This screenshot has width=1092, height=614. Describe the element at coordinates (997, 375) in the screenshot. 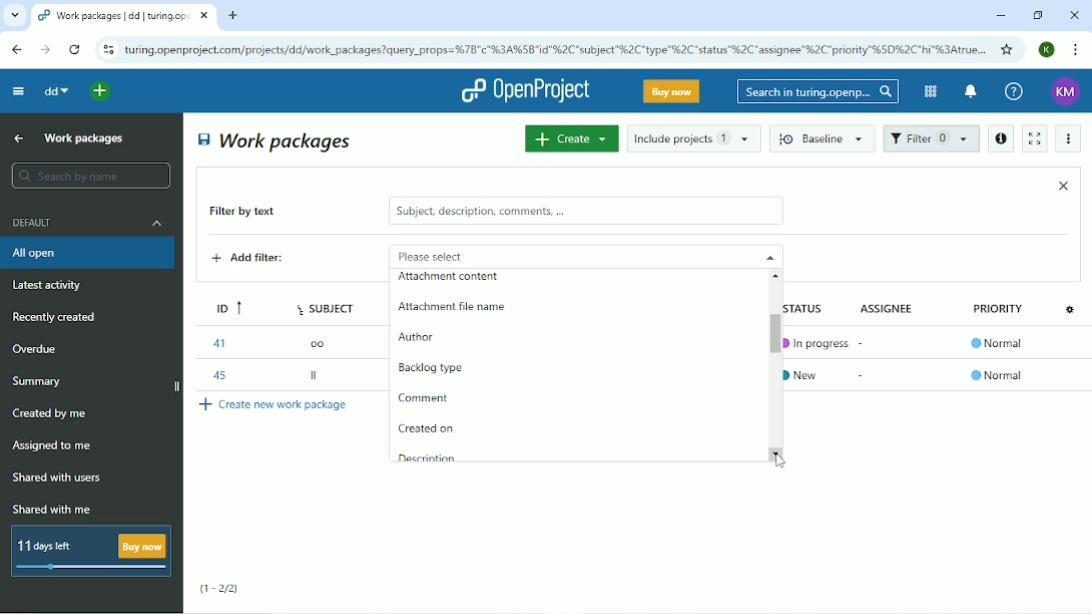

I see `Normal` at that location.